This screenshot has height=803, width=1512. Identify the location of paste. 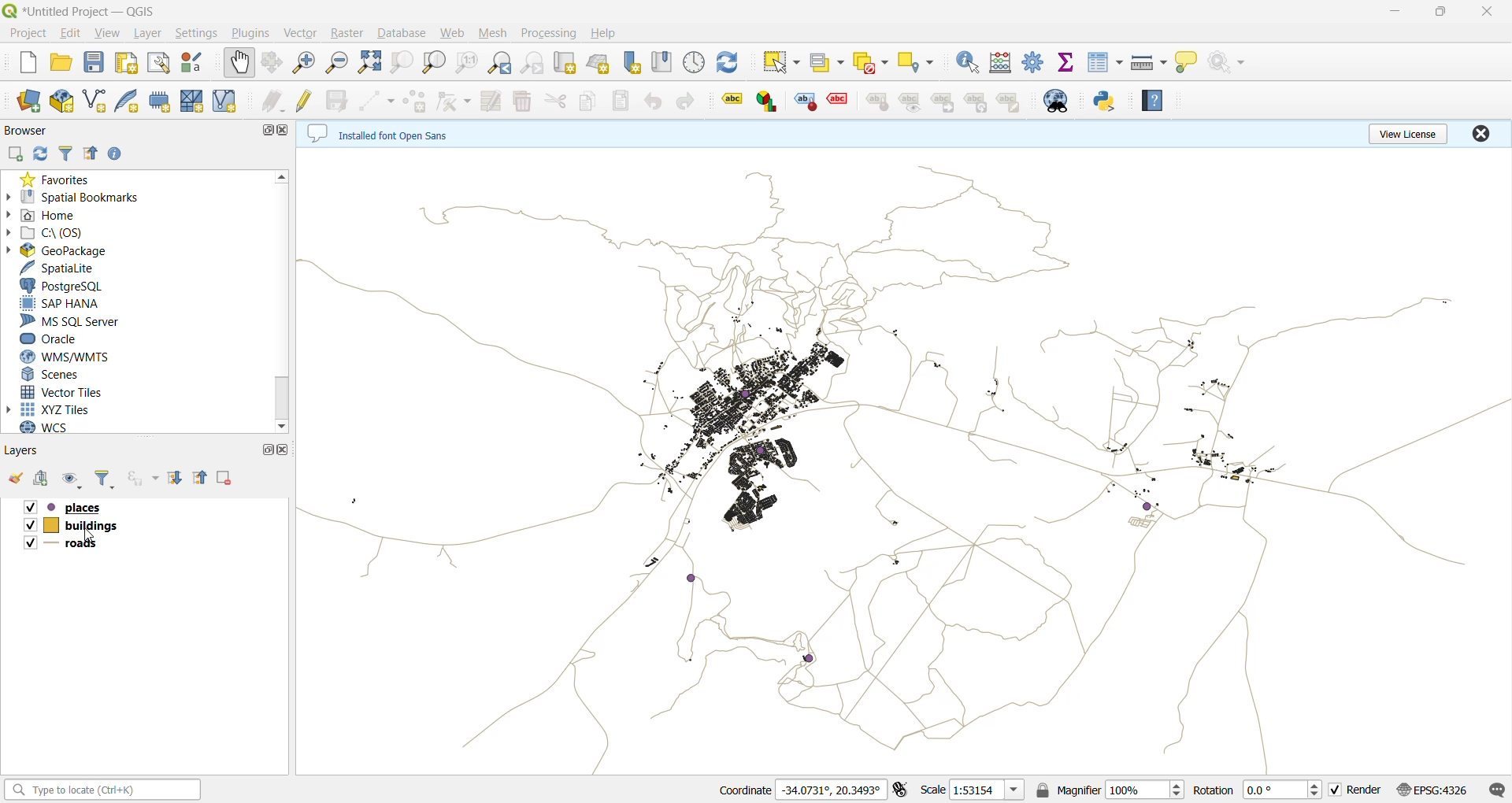
(623, 102).